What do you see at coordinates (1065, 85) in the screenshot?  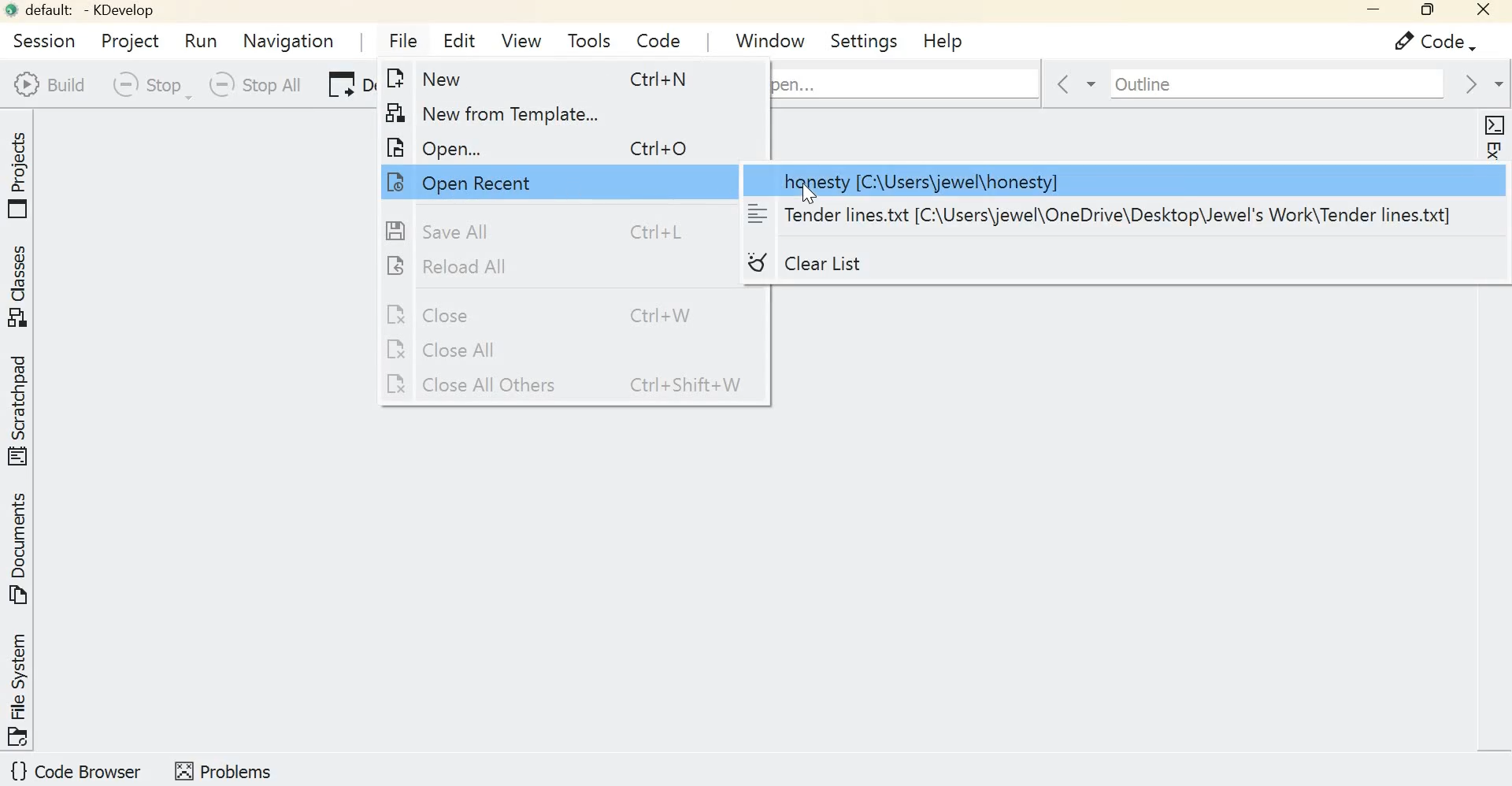 I see `Go back in context history` at bounding box center [1065, 85].